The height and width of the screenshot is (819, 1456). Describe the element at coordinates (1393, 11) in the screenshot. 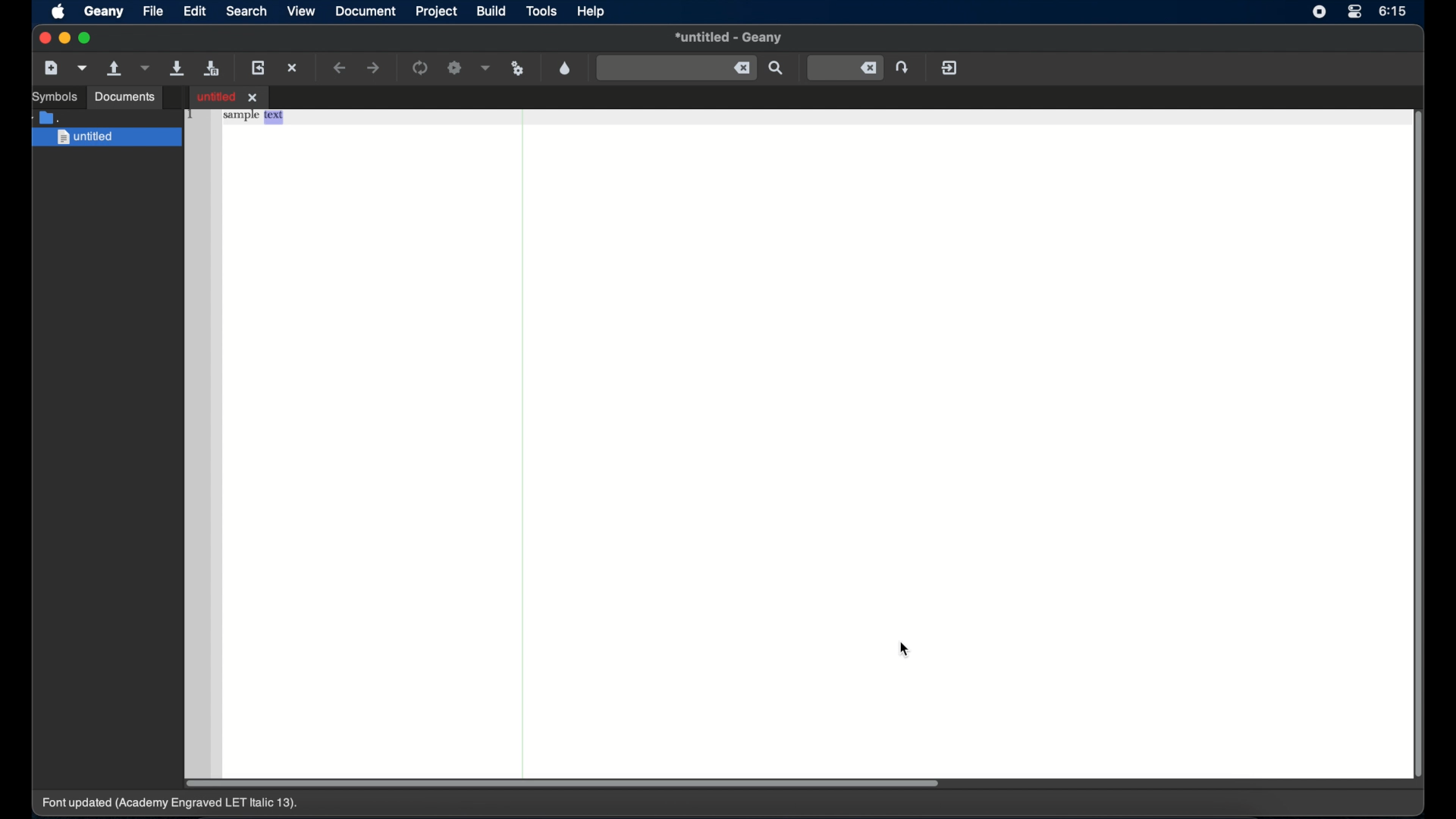

I see `6:15` at that location.